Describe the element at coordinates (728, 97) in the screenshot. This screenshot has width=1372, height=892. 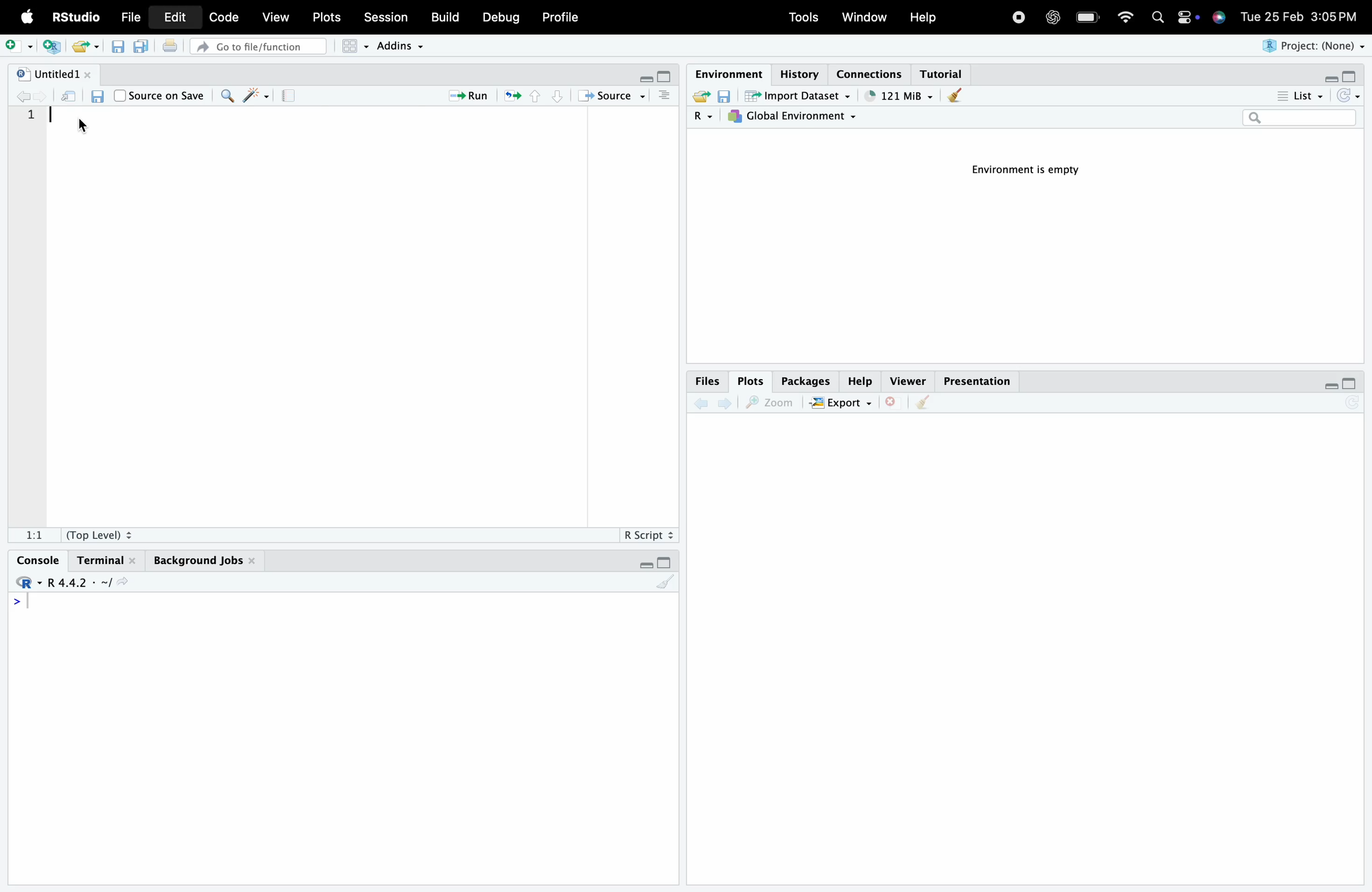
I see `Save workspace as` at that location.